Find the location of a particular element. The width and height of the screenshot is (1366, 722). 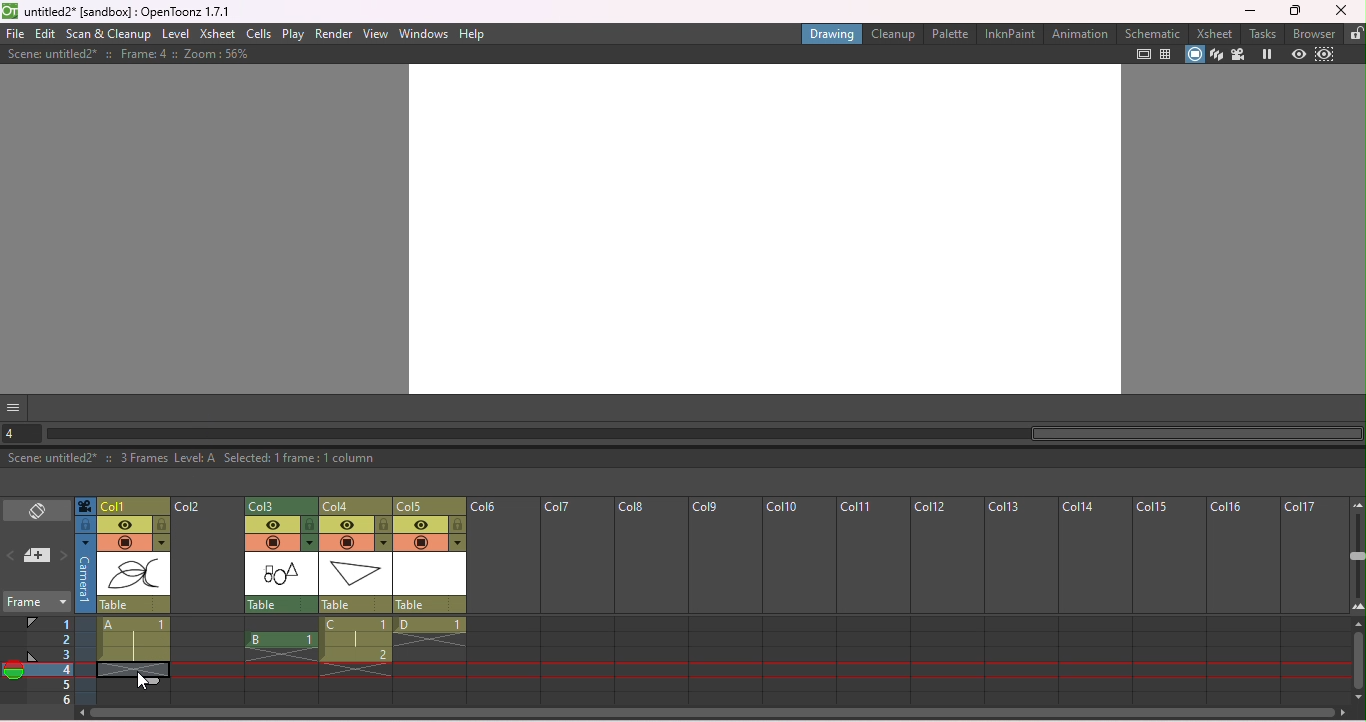

Table is located at coordinates (431, 605).